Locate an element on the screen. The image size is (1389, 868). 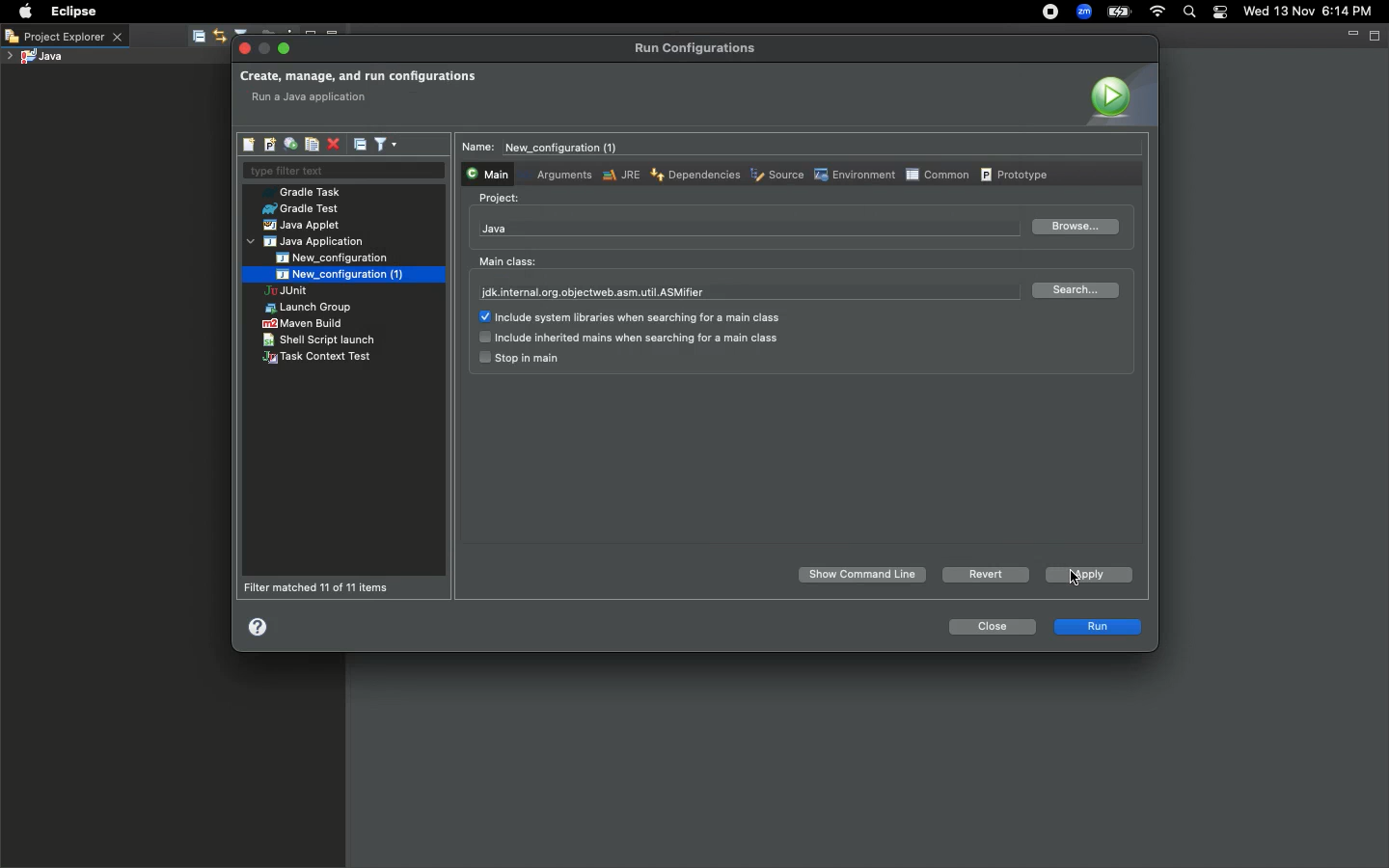
Icon is located at coordinates (1119, 95).